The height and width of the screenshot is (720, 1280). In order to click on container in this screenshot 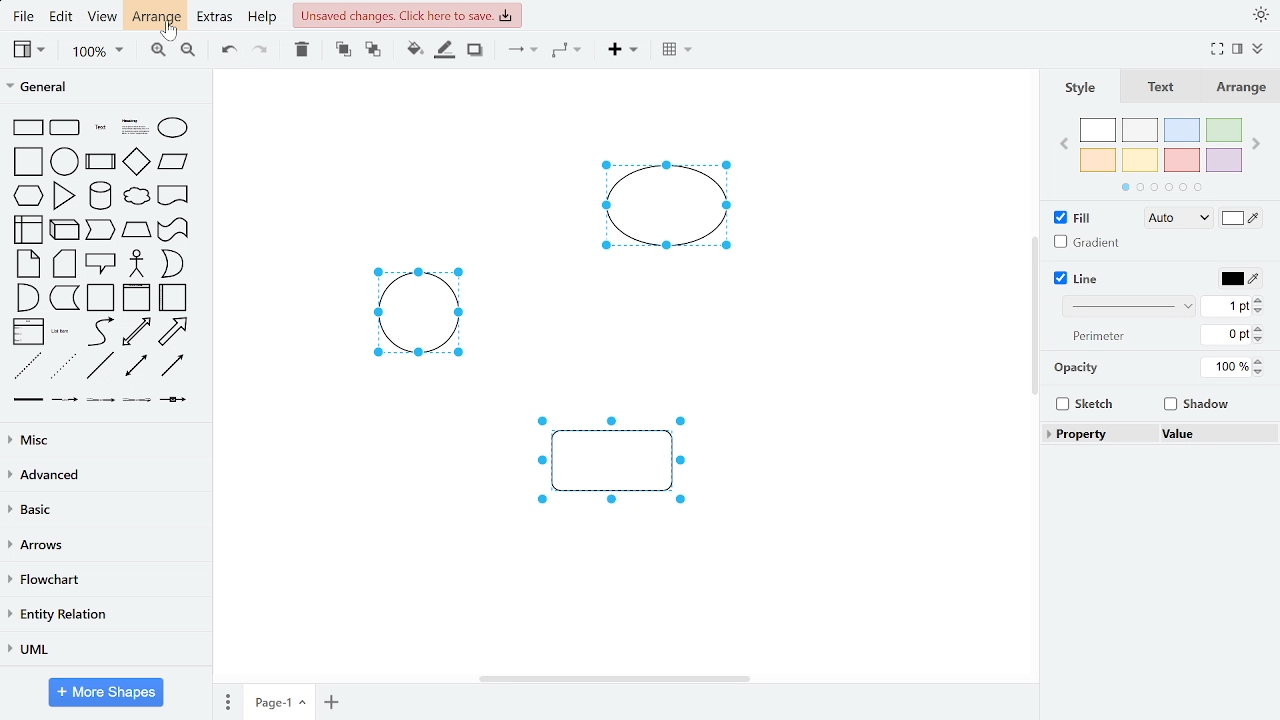, I will do `click(102, 298)`.